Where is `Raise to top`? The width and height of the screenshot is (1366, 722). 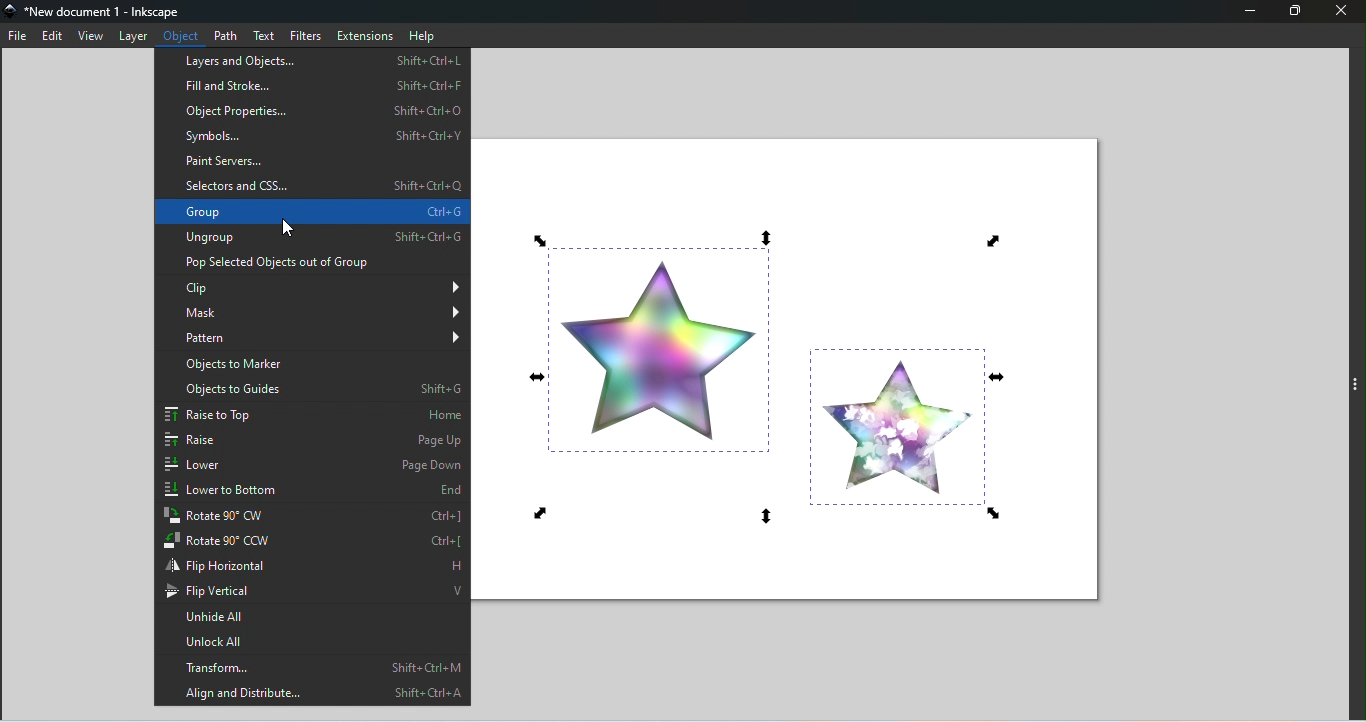 Raise to top is located at coordinates (311, 417).